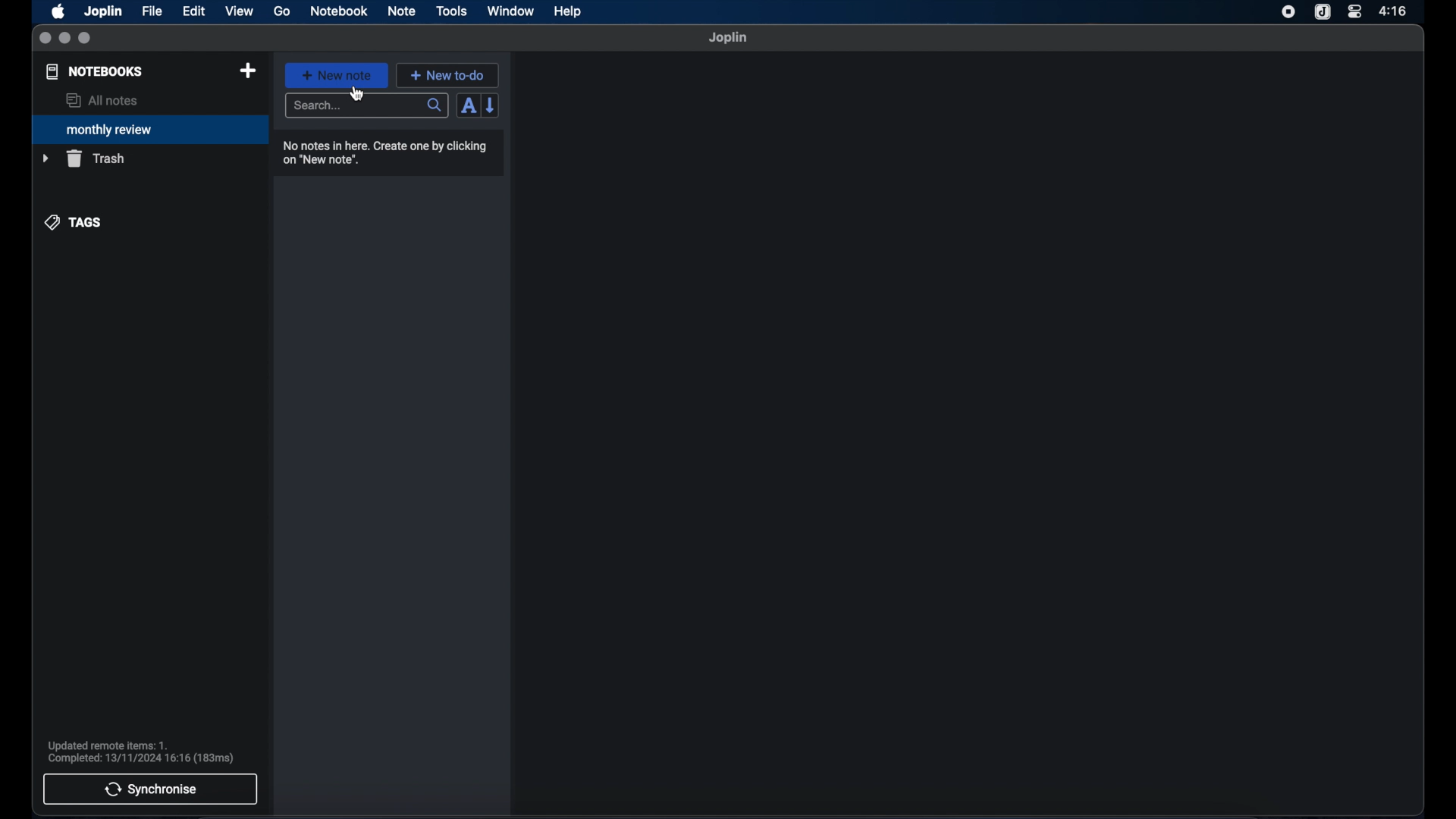  What do you see at coordinates (152, 11) in the screenshot?
I see `file` at bounding box center [152, 11].